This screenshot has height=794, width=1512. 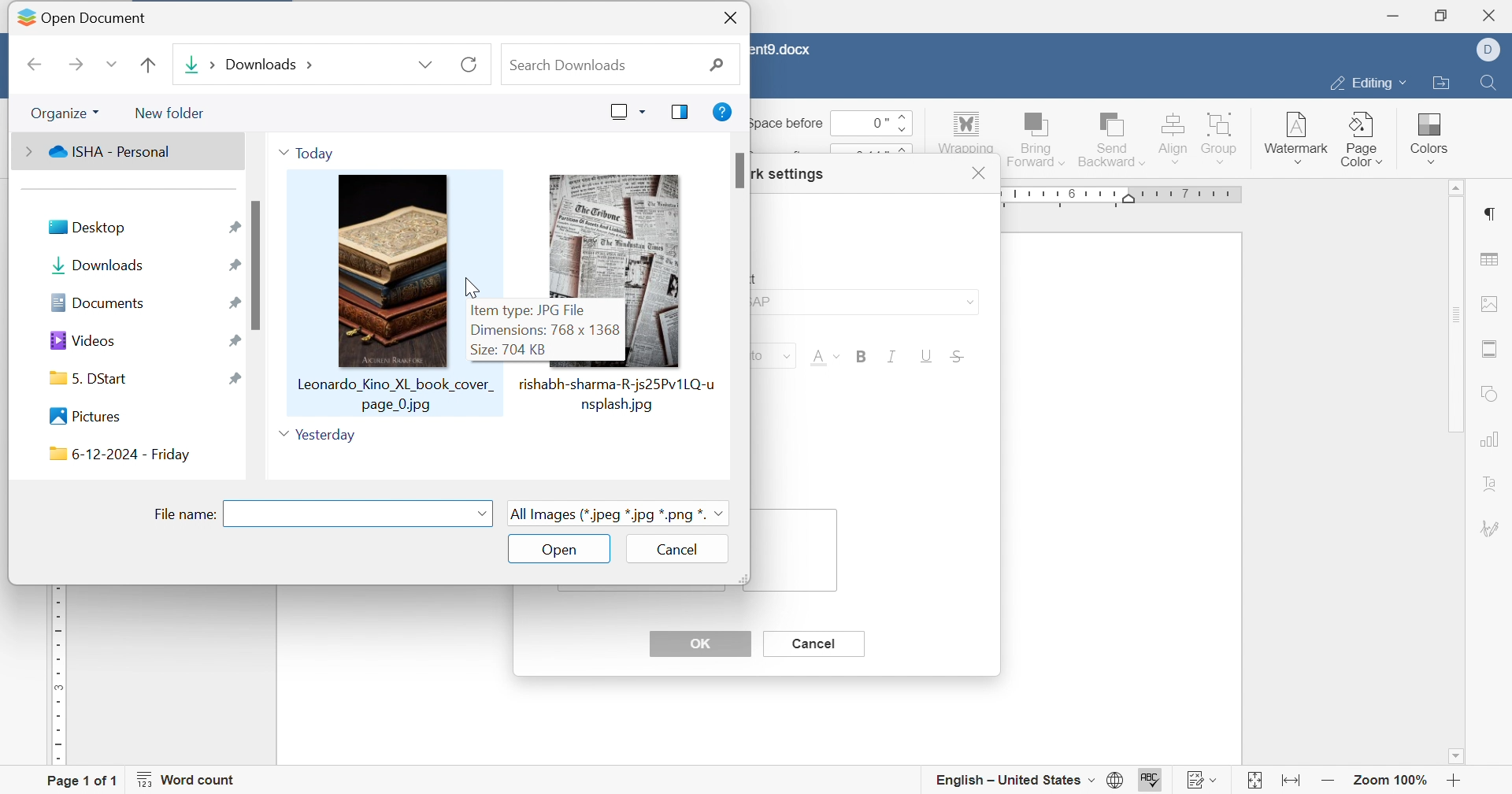 What do you see at coordinates (119, 455) in the screenshot?
I see `6-12-2024 - Friday` at bounding box center [119, 455].